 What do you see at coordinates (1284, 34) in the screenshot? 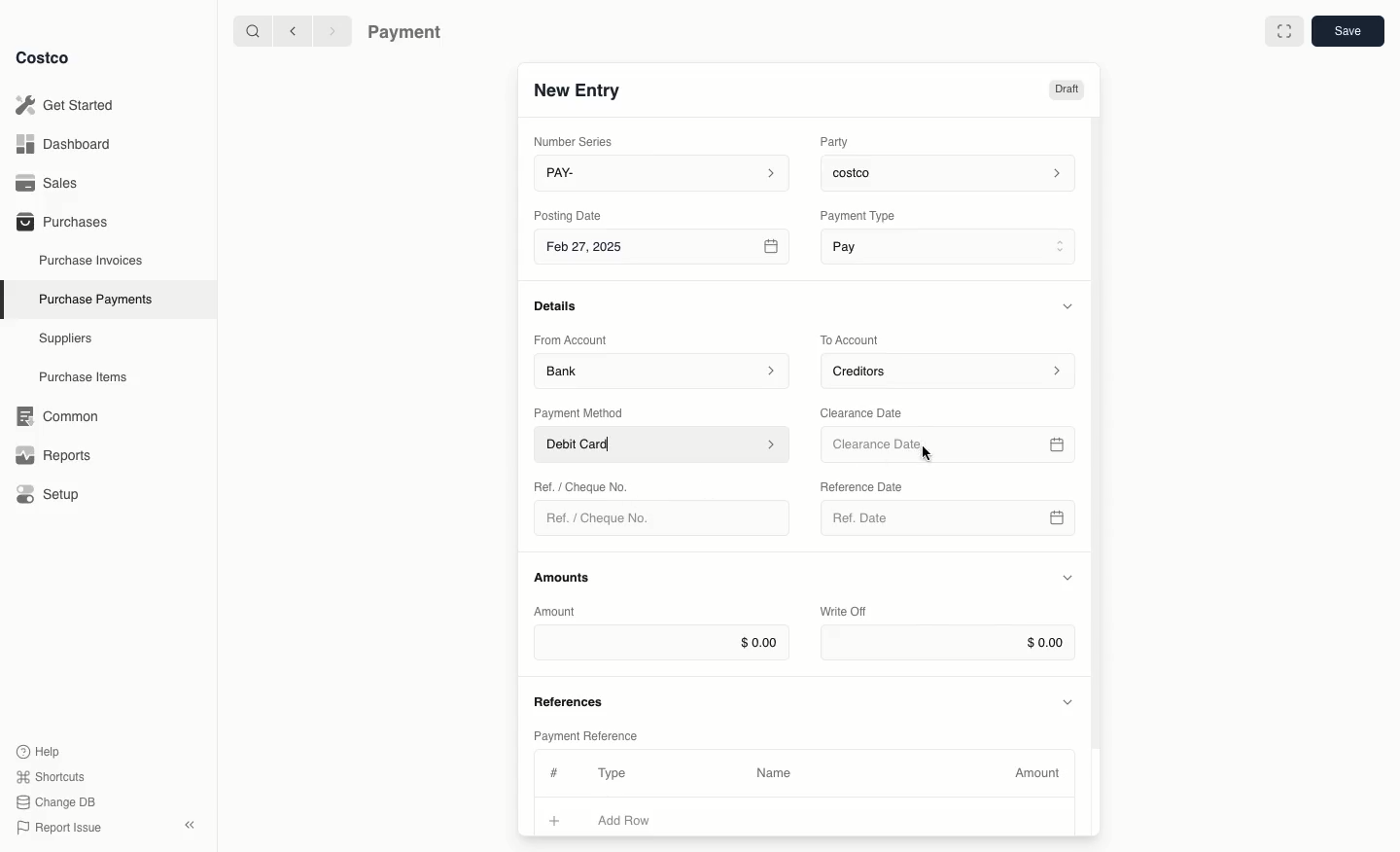
I see `Full width toggle` at bounding box center [1284, 34].